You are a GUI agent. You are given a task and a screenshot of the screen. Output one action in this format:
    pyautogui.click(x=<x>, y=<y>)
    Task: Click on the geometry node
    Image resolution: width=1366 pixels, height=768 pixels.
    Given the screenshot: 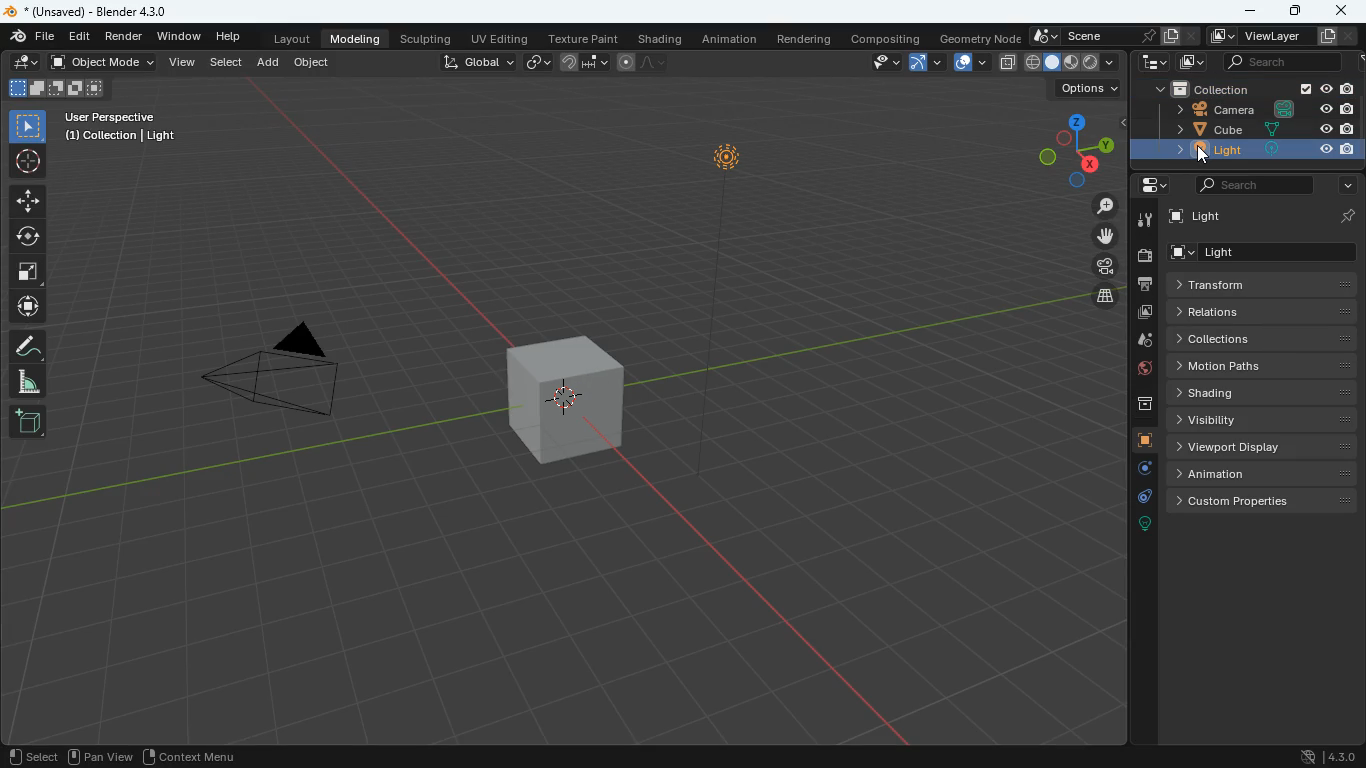 What is the action you would take?
    pyautogui.click(x=981, y=38)
    